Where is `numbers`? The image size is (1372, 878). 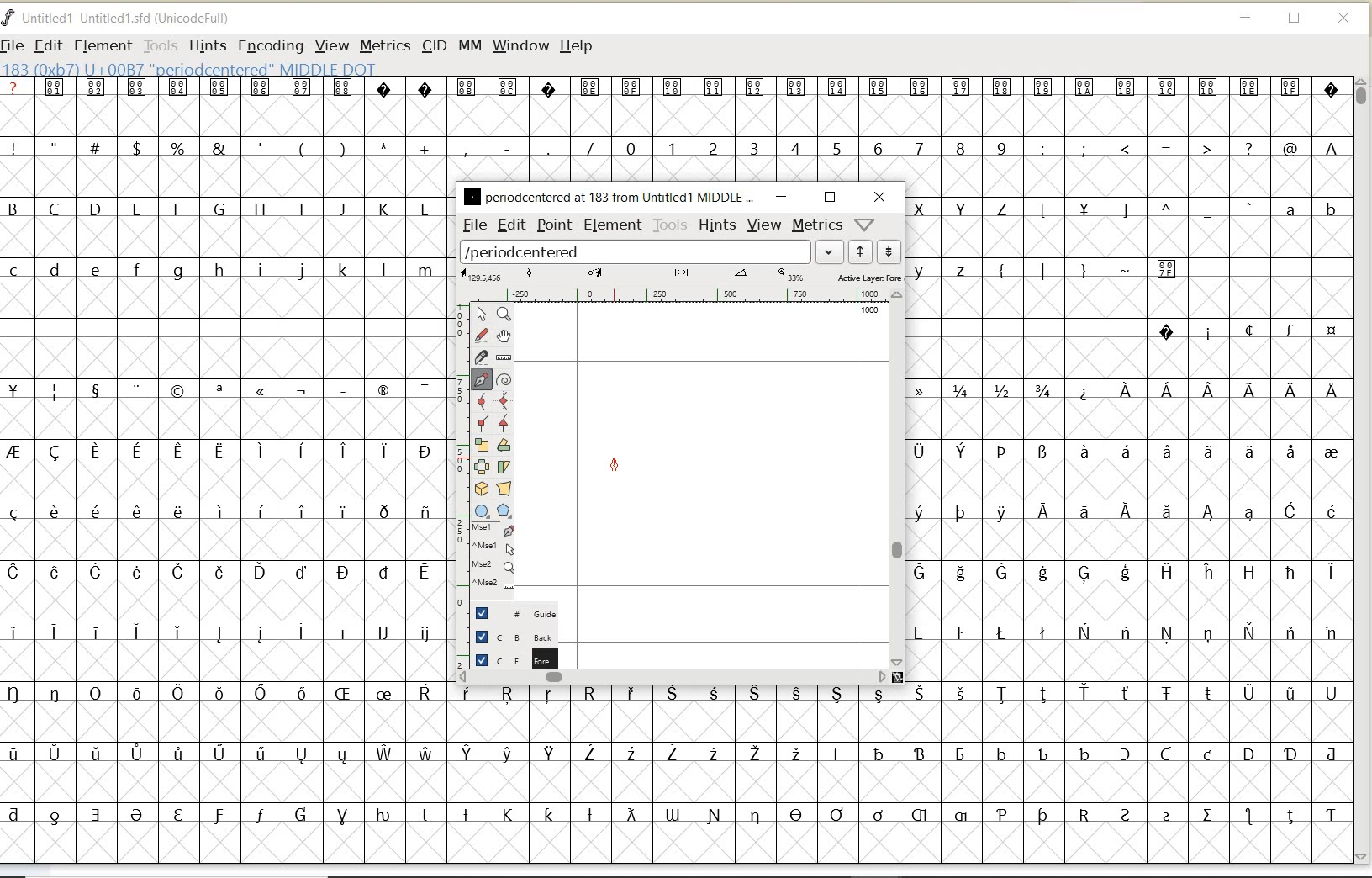
numbers is located at coordinates (812, 147).